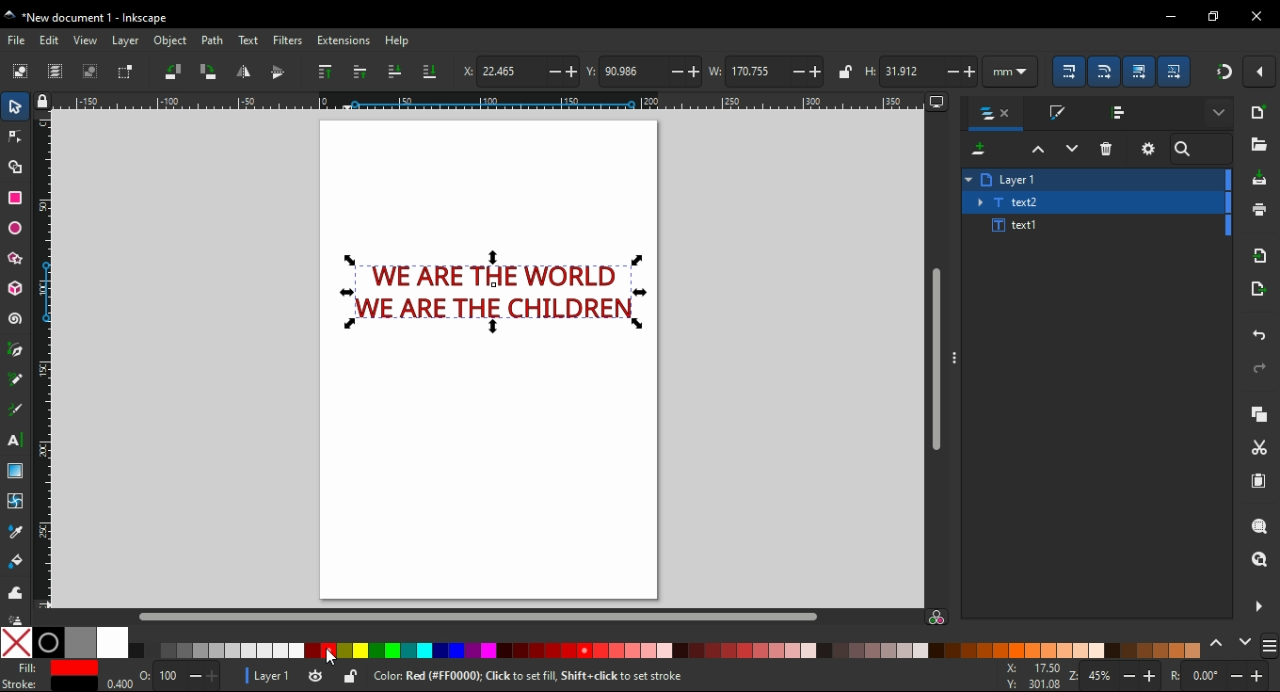 This screenshot has height=692, width=1280. Describe the element at coordinates (93, 73) in the screenshot. I see `deselect` at that location.